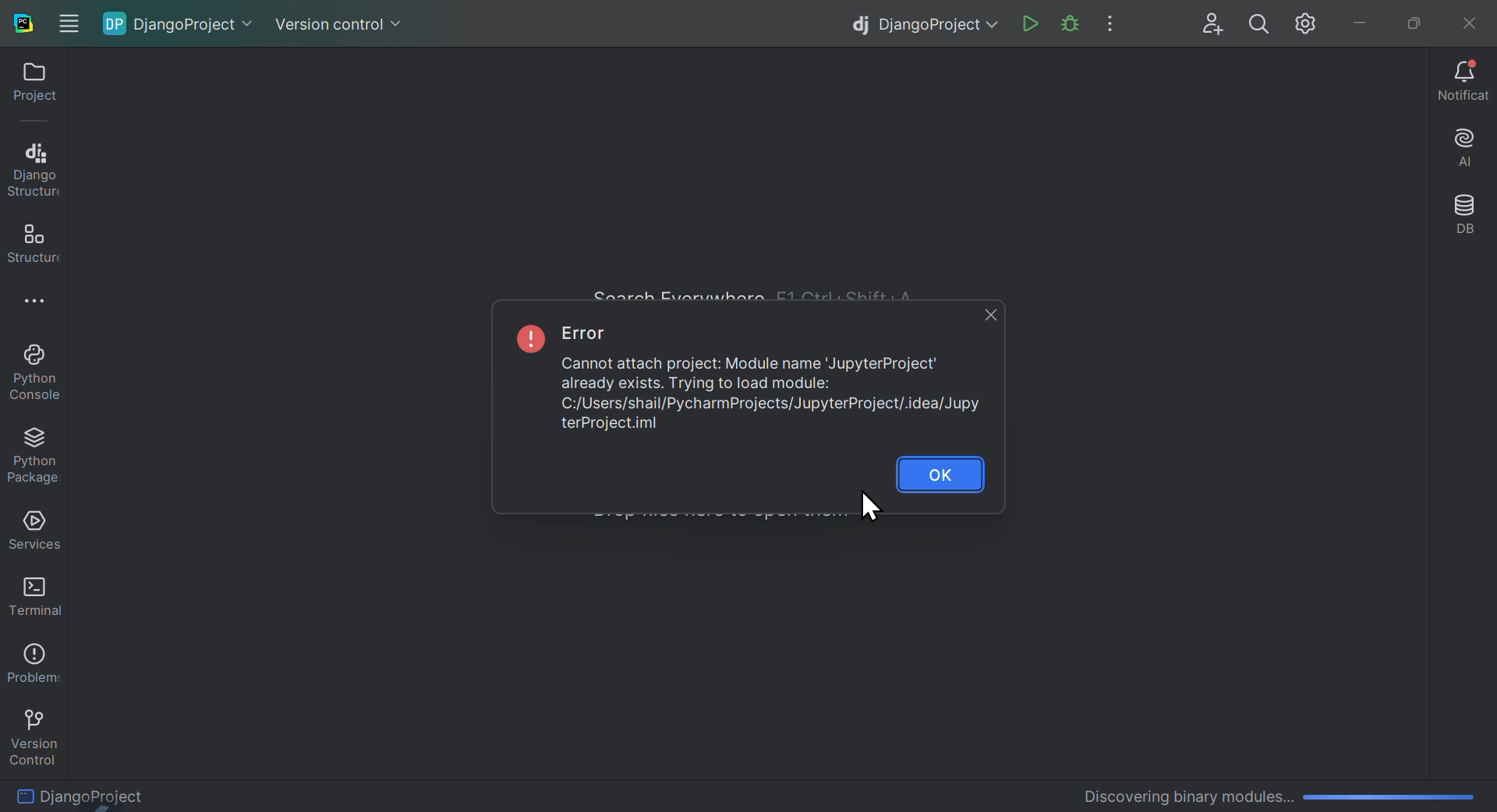 This screenshot has width=1497, height=812. What do you see at coordinates (1466, 20) in the screenshot?
I see `Close` at bounding box center [1466, 20].